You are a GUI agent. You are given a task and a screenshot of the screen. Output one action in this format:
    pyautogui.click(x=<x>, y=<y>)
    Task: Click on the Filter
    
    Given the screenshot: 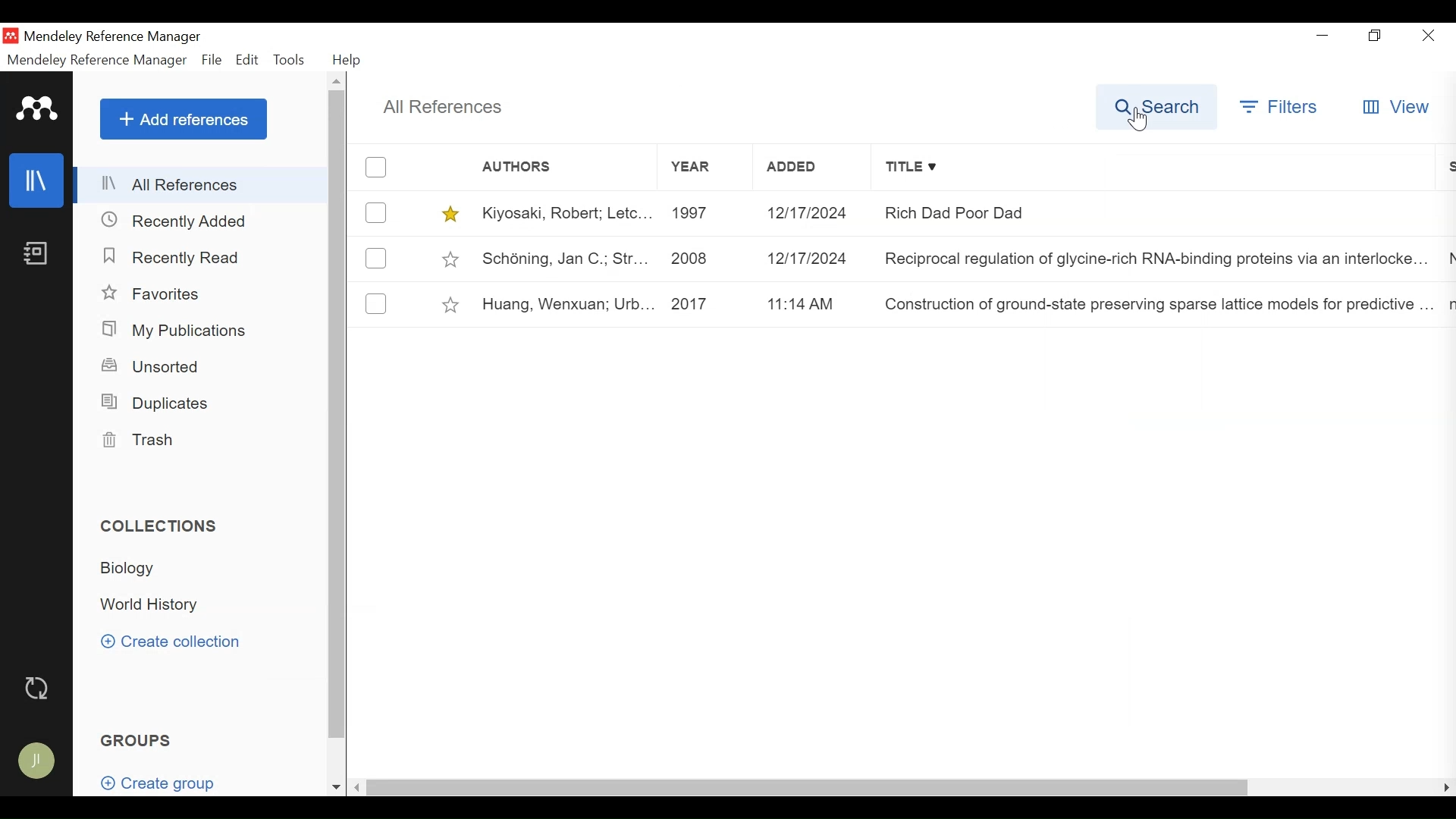 What is the action you would take?
    pyautogui.click(x=1277, y=106)
    